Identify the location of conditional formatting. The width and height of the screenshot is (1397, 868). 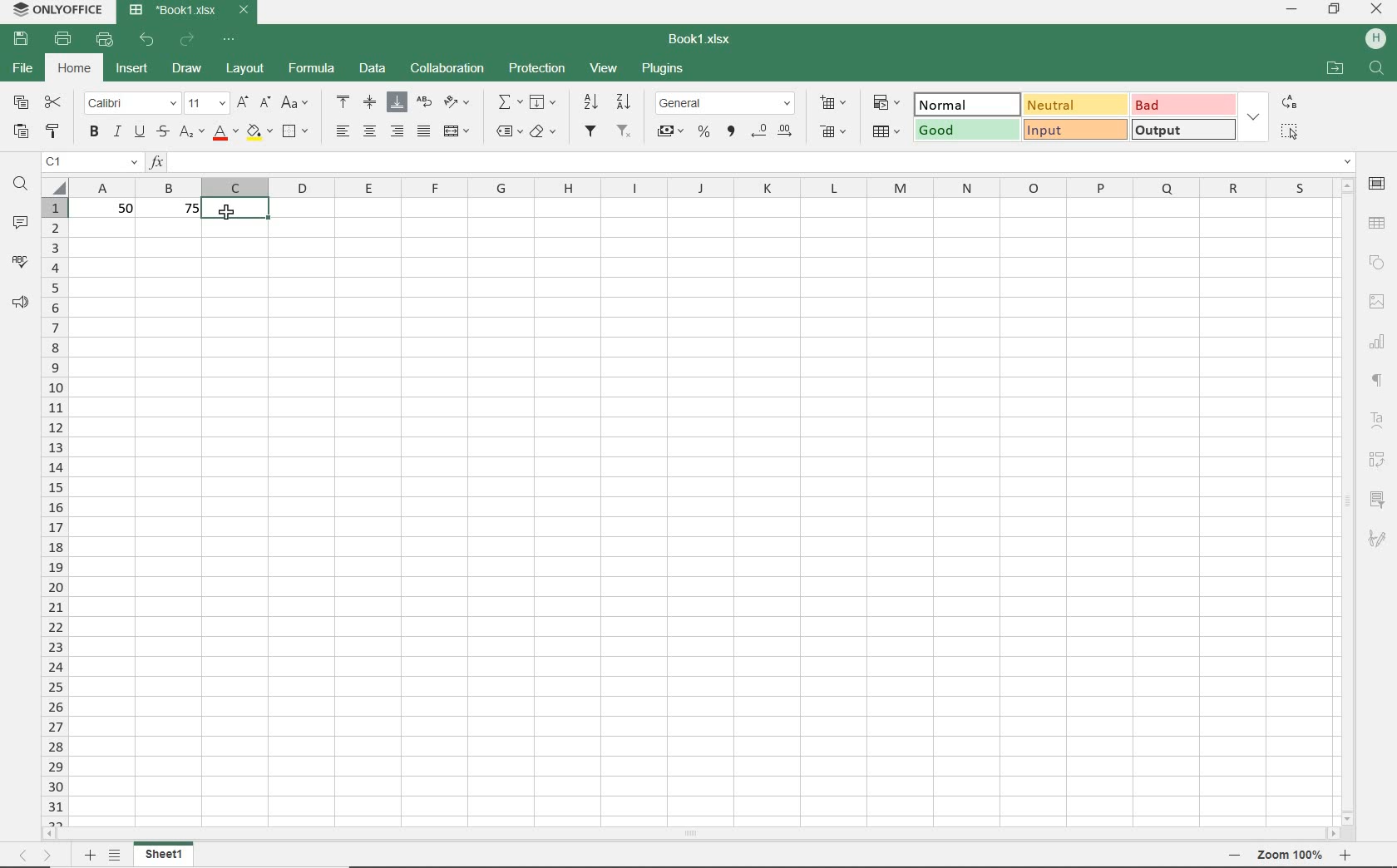
(889, 102).